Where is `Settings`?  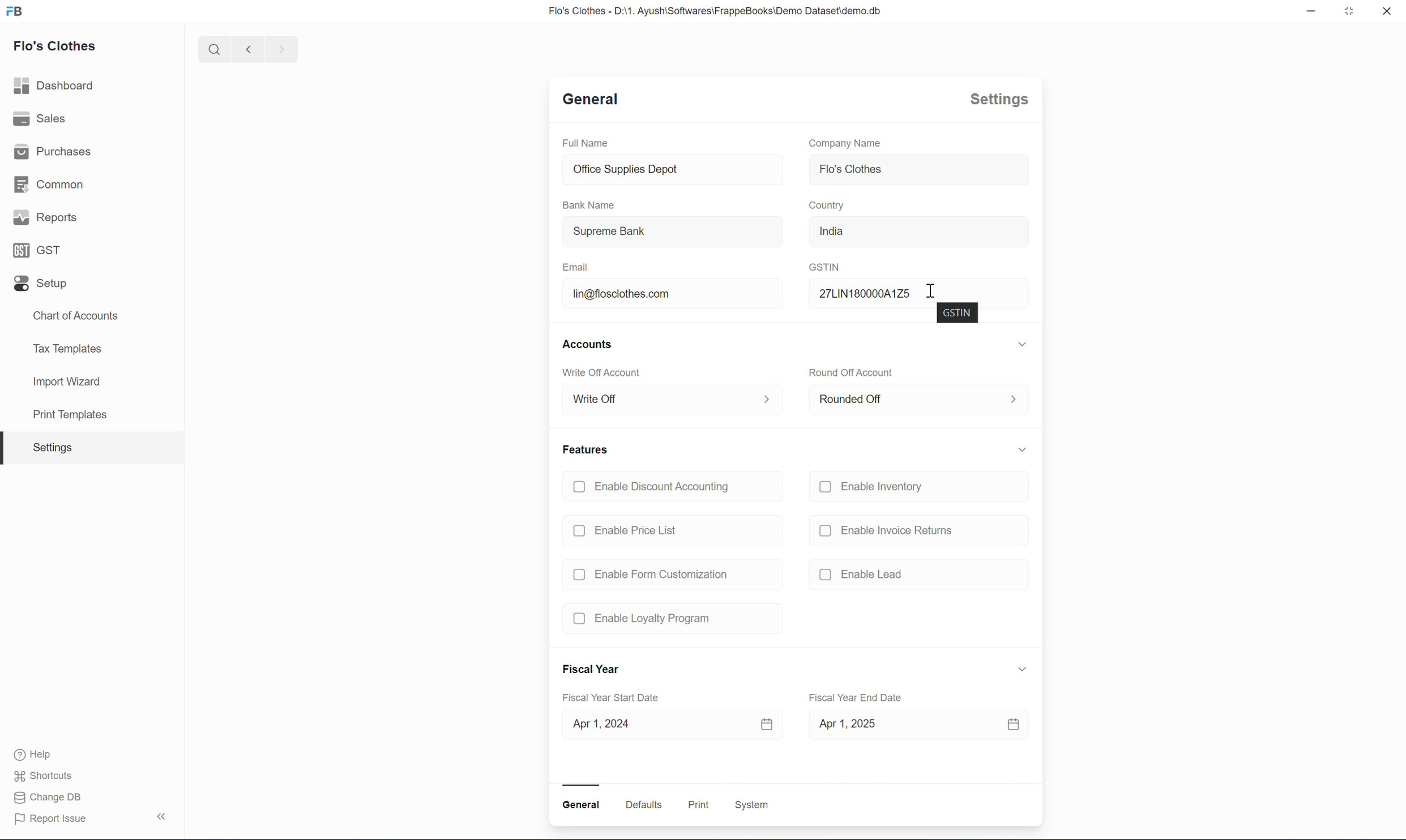
Settings is located at coordinates (50, 447).